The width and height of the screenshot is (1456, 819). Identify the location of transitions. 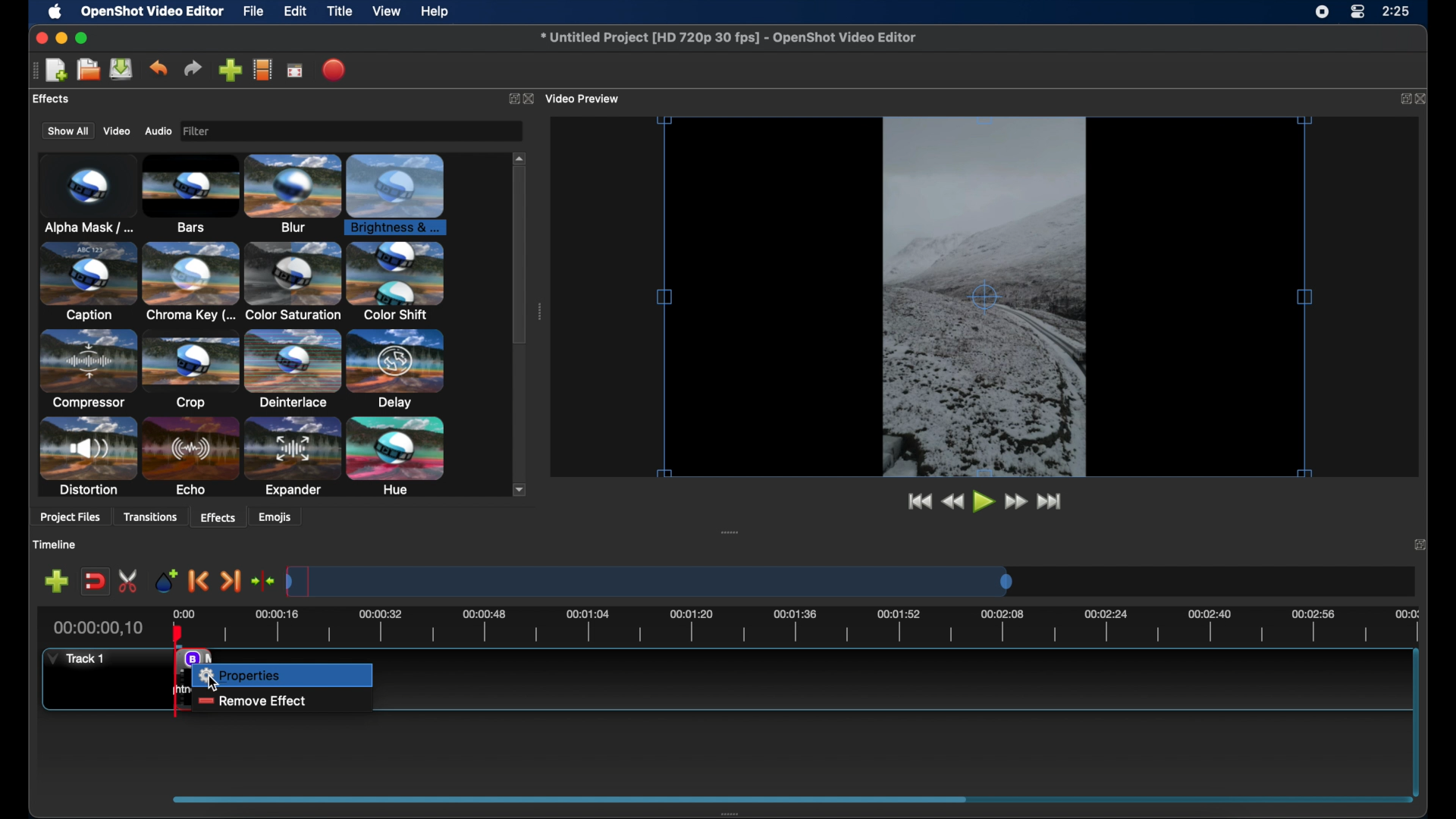
(153, 516).